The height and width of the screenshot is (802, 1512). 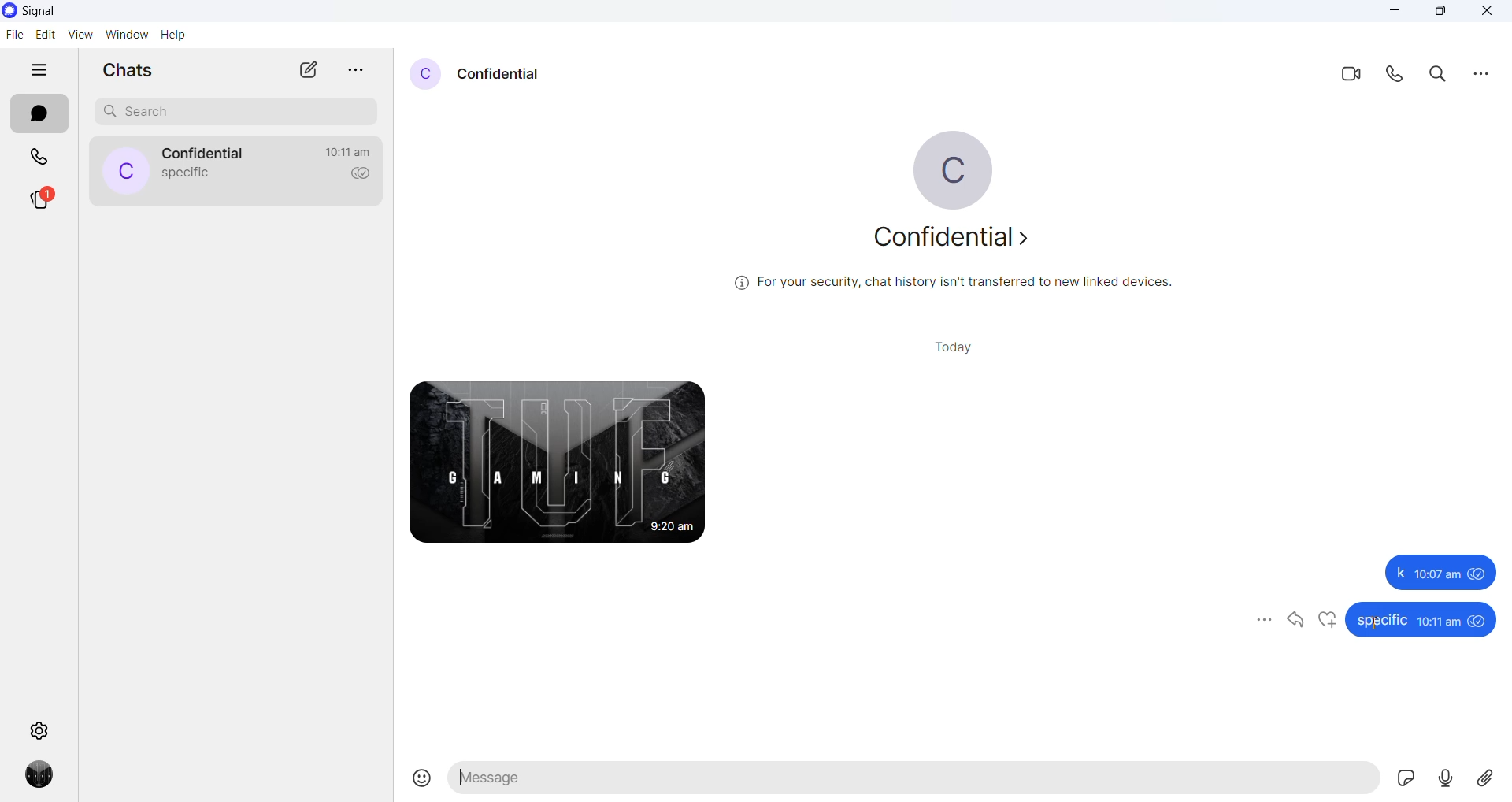 I want to click on chats, so click(x=36, y=114).